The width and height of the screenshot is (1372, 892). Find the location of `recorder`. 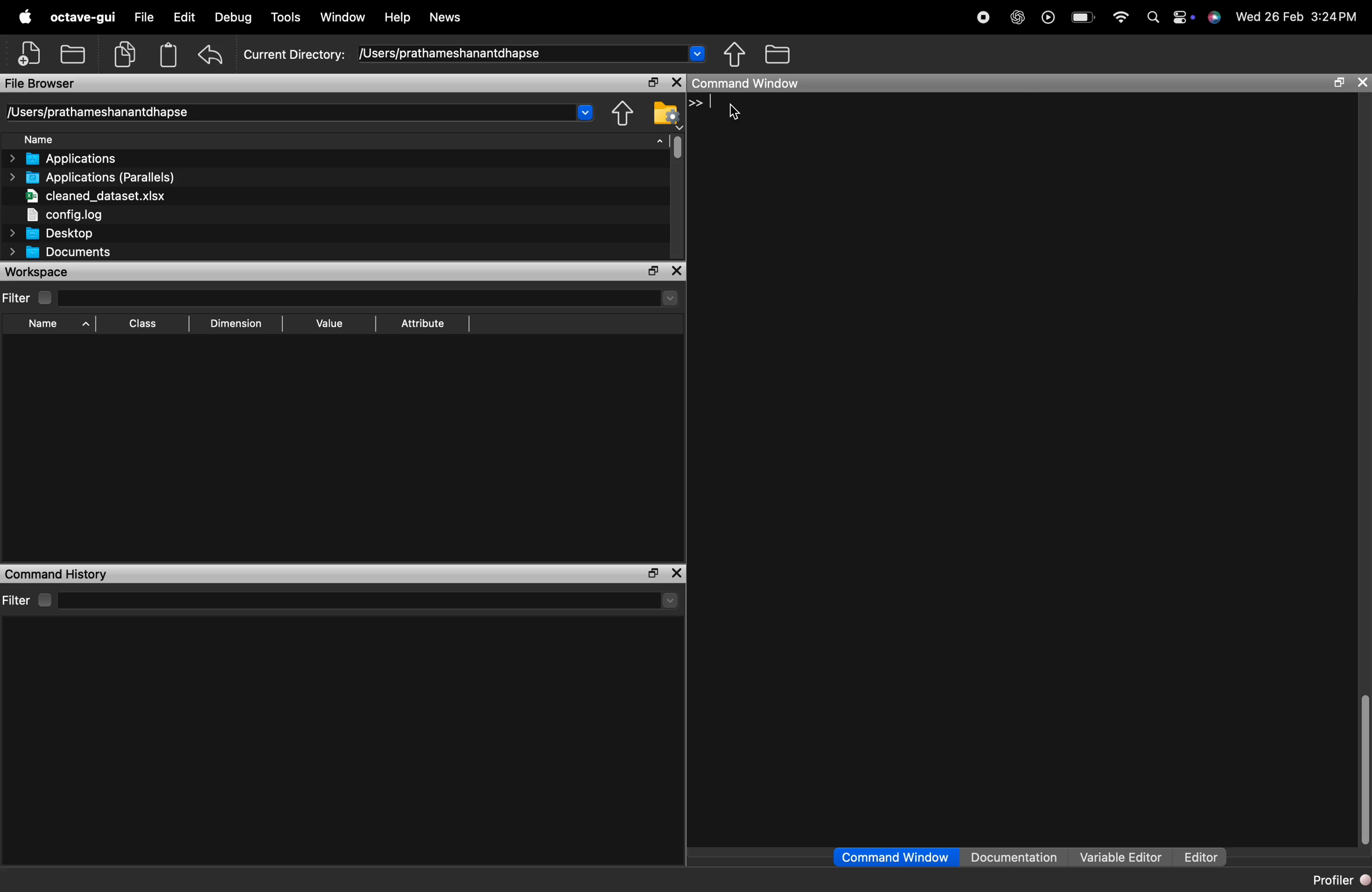

recorder is located at coordinates (981, 18).